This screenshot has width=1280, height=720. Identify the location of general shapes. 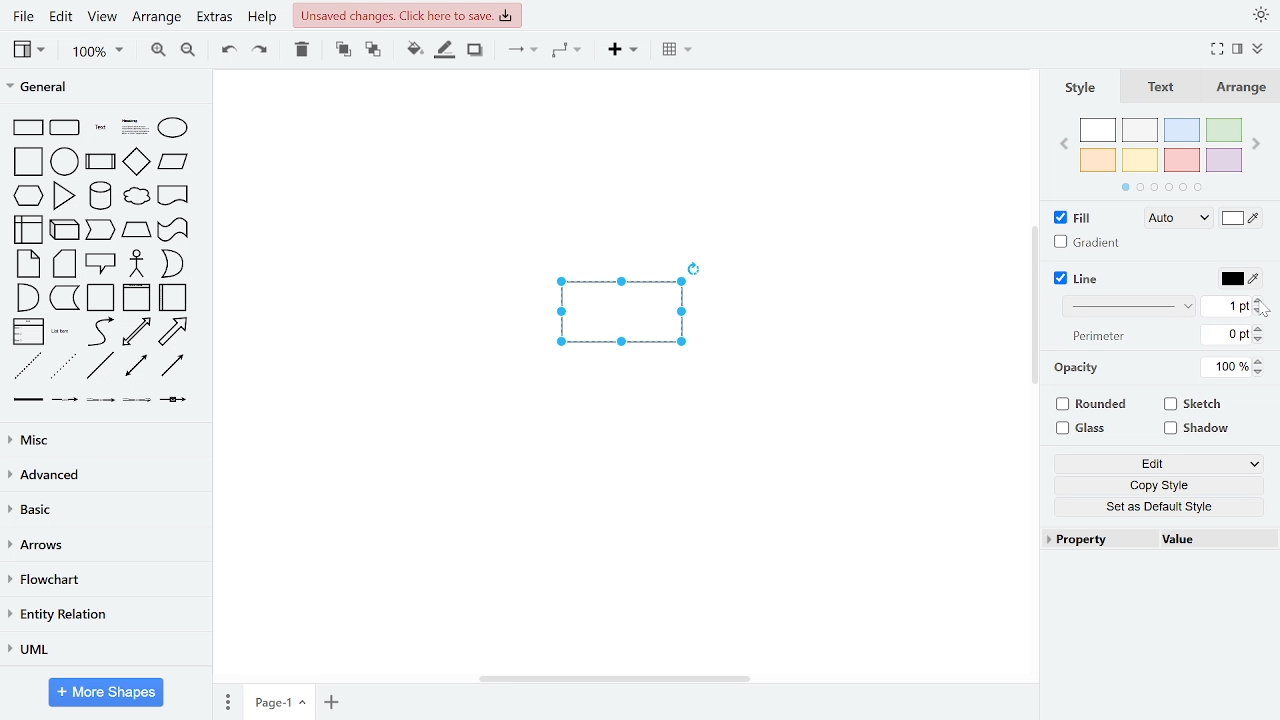
(64, 297).